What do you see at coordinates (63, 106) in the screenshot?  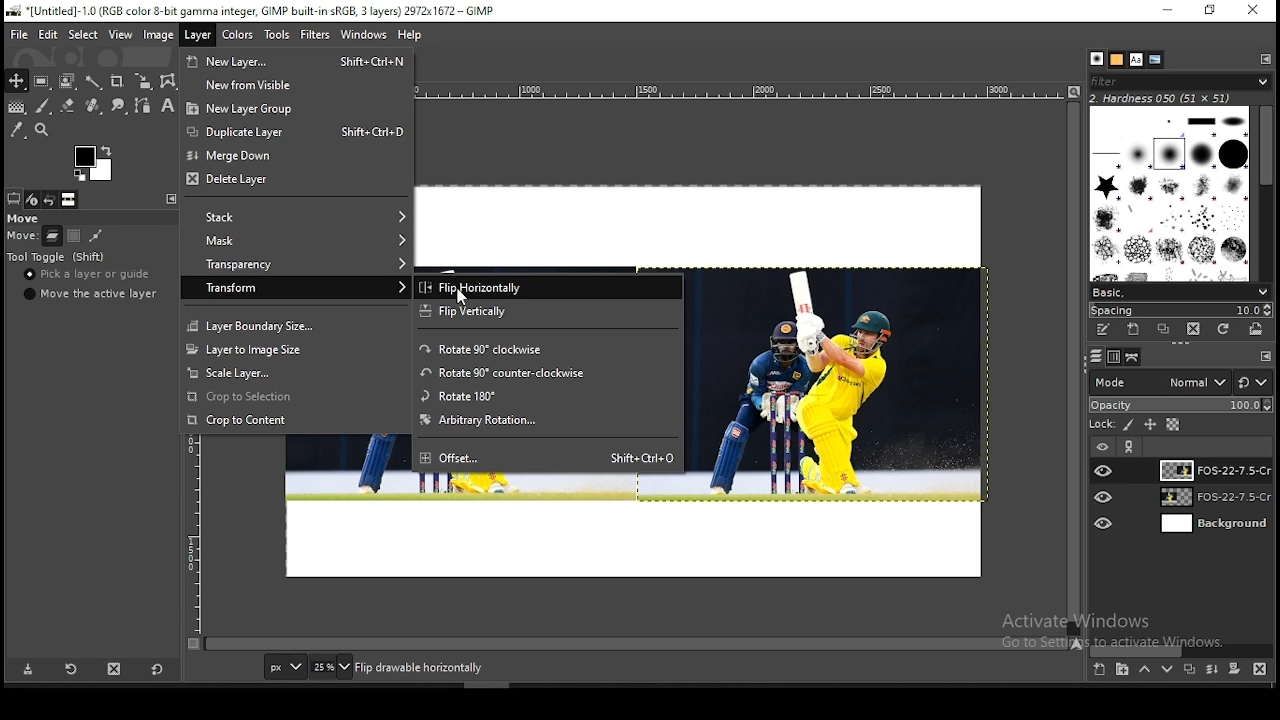 I see `eraser tool` at bounding box center [63, 106].